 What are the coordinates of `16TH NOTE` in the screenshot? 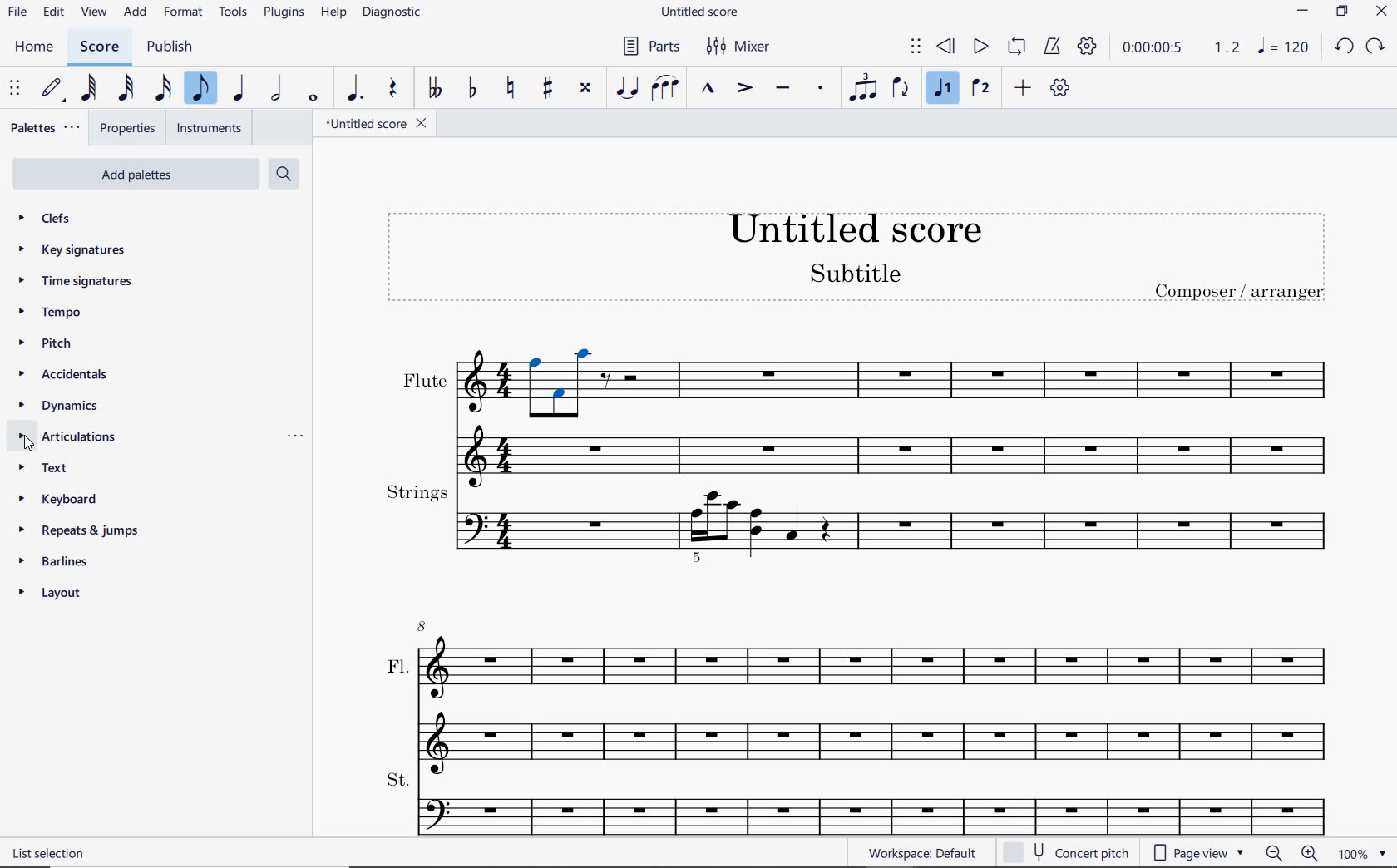 It's located at (163, 89).